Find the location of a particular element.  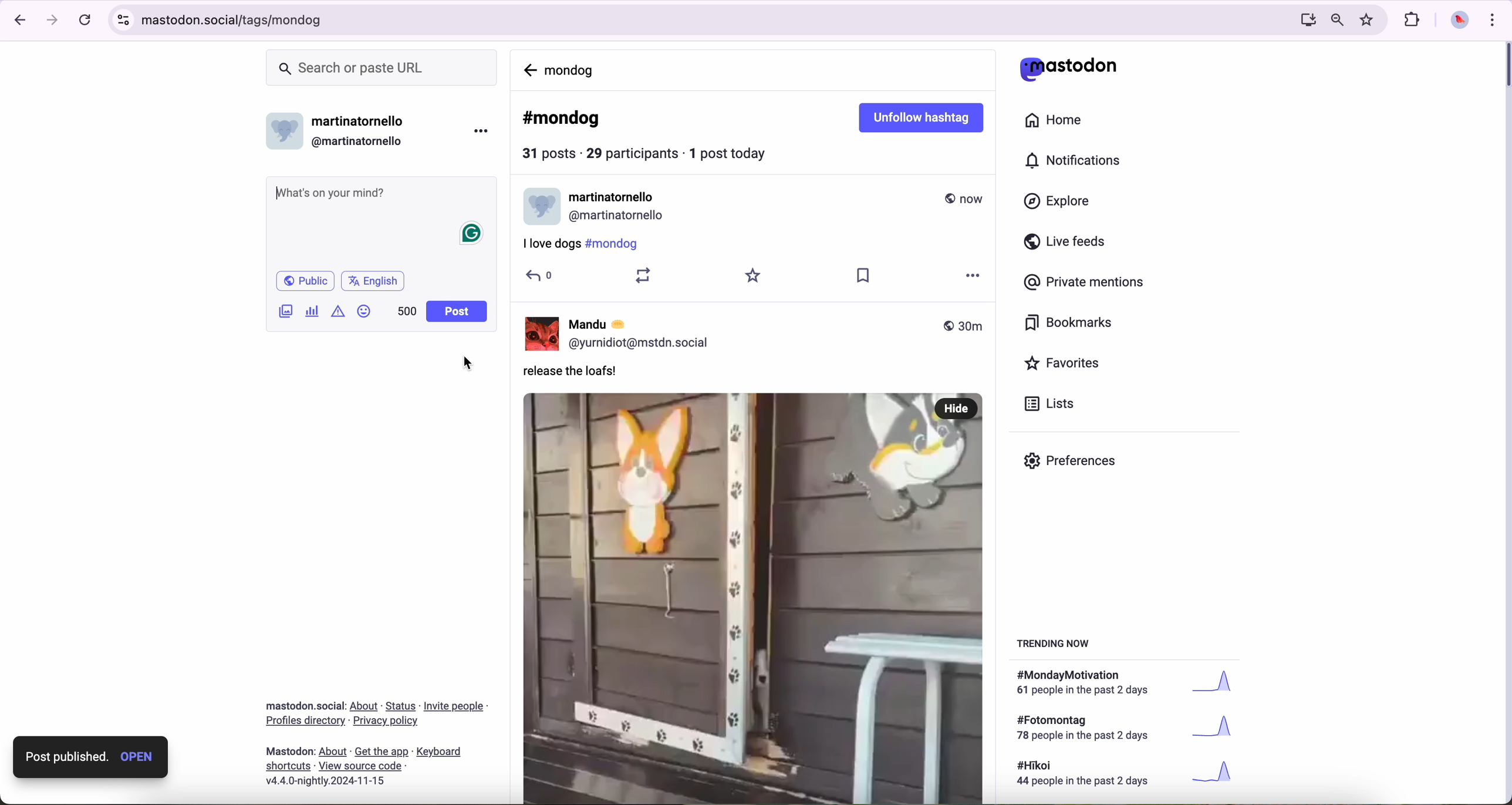

cursor is located at coordinates (474, 363).